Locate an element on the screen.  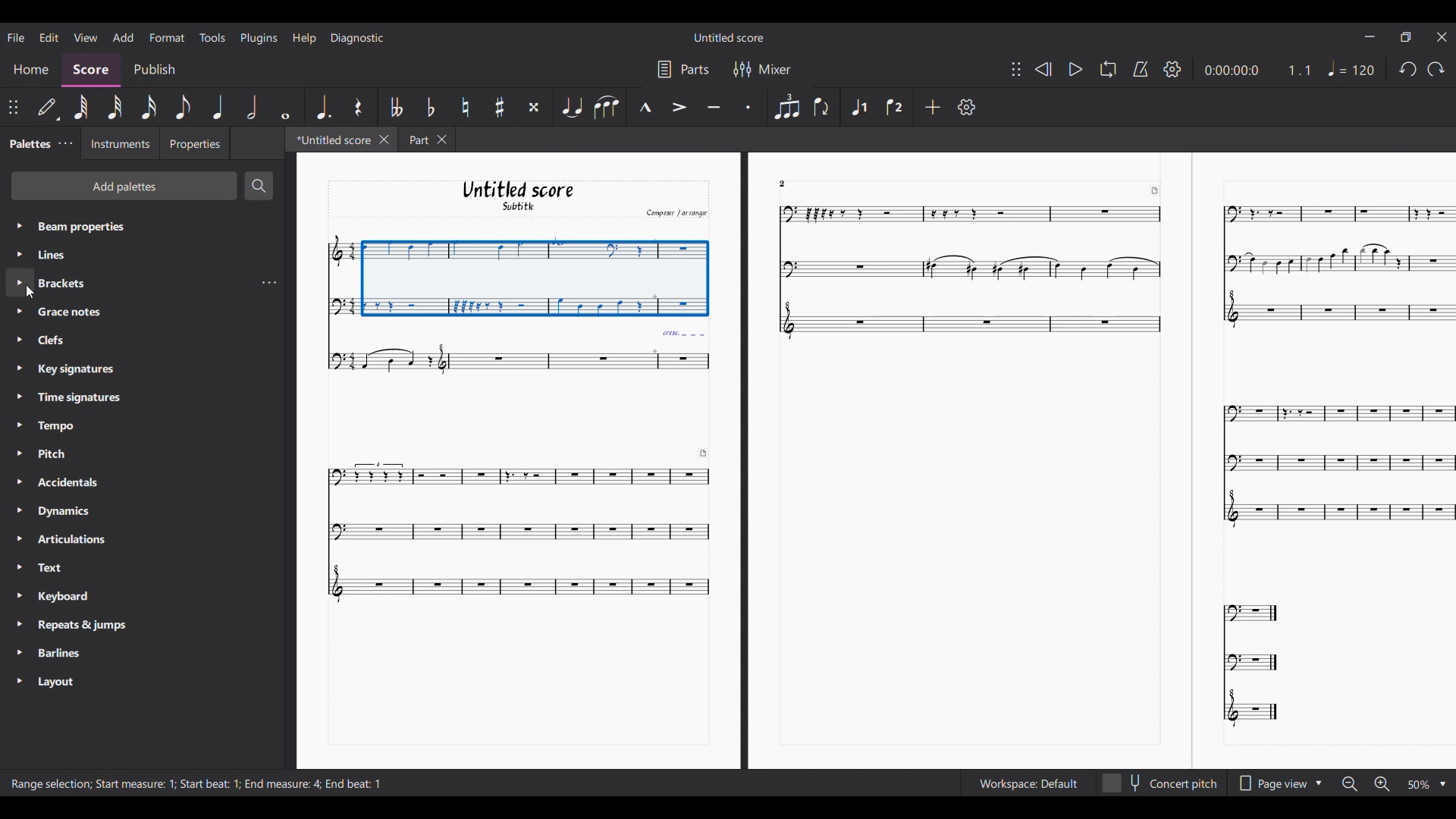
Minimize is located at coordinates (1370, 36).